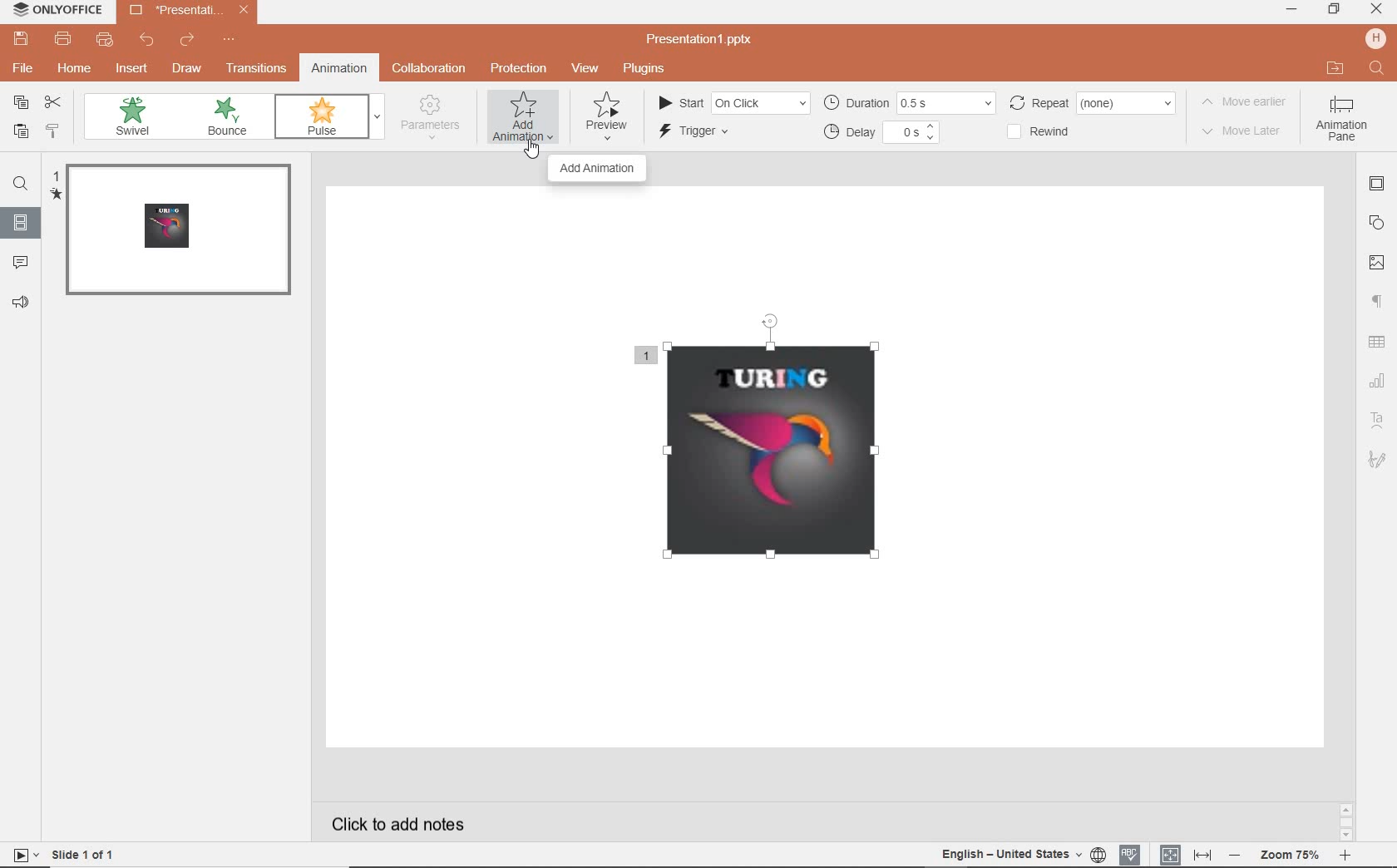  I want to click on move later, so click(1244, 132).